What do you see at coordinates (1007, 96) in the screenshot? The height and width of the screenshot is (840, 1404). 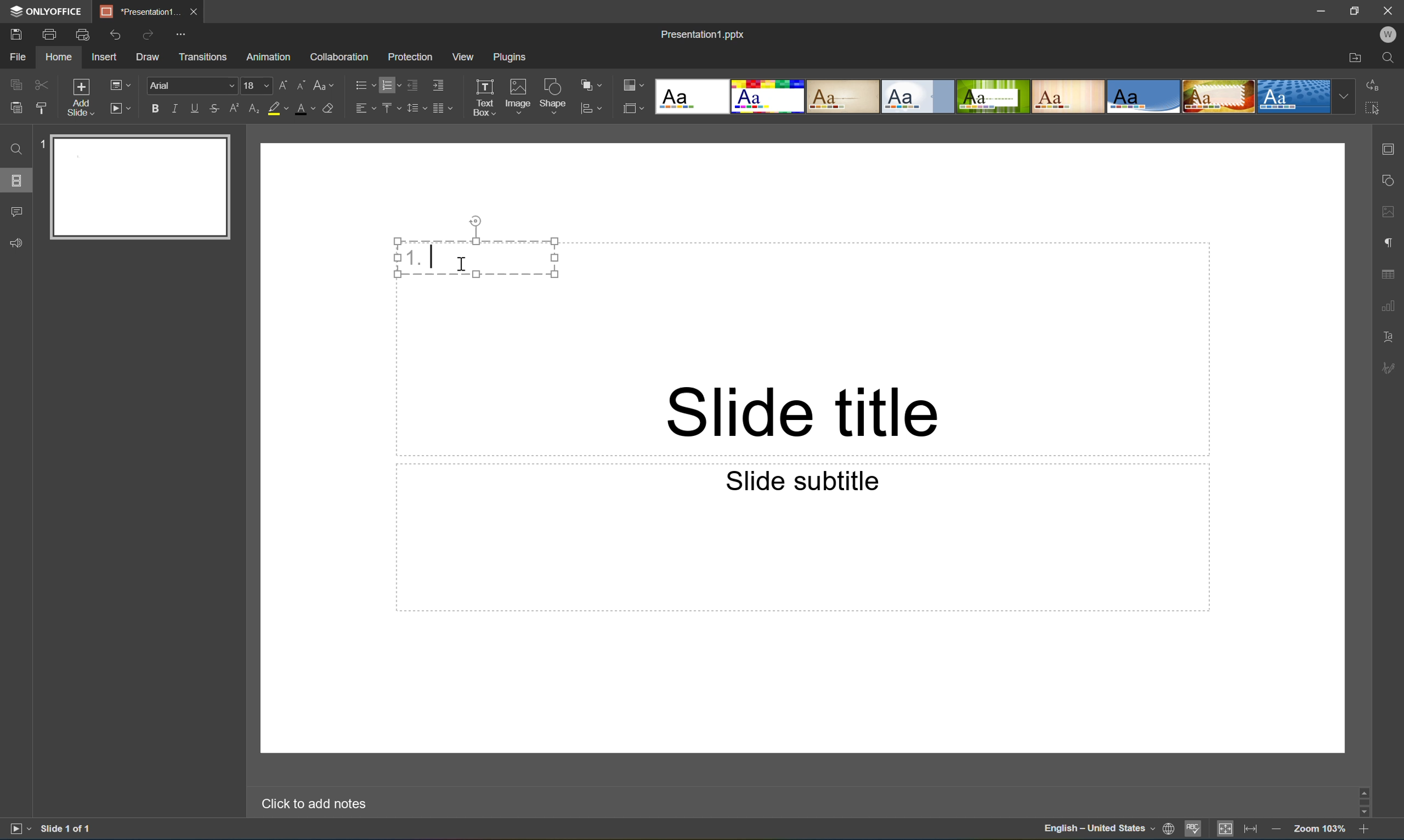 I see `type of slides` at bounding box center [1007, 96].